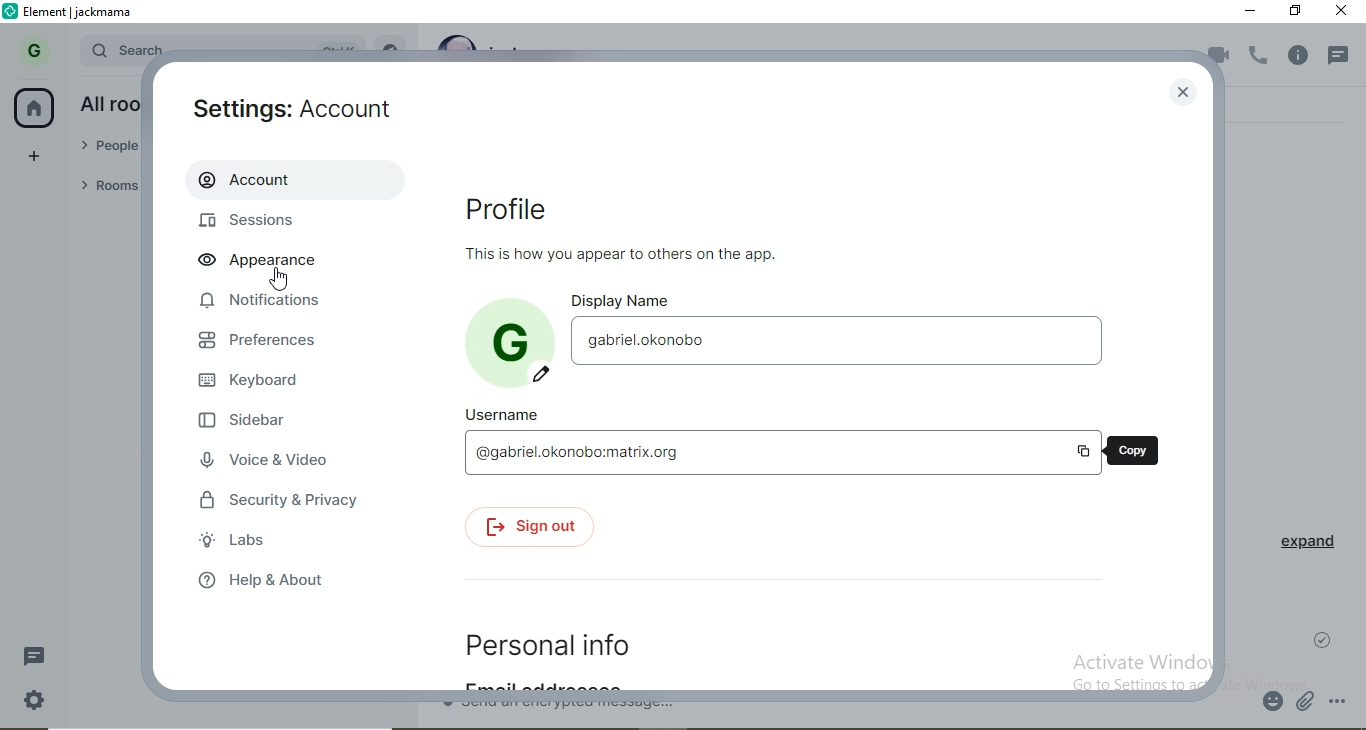 The image size is (1366, 730). I want to click on restore, so click(1297, 11).